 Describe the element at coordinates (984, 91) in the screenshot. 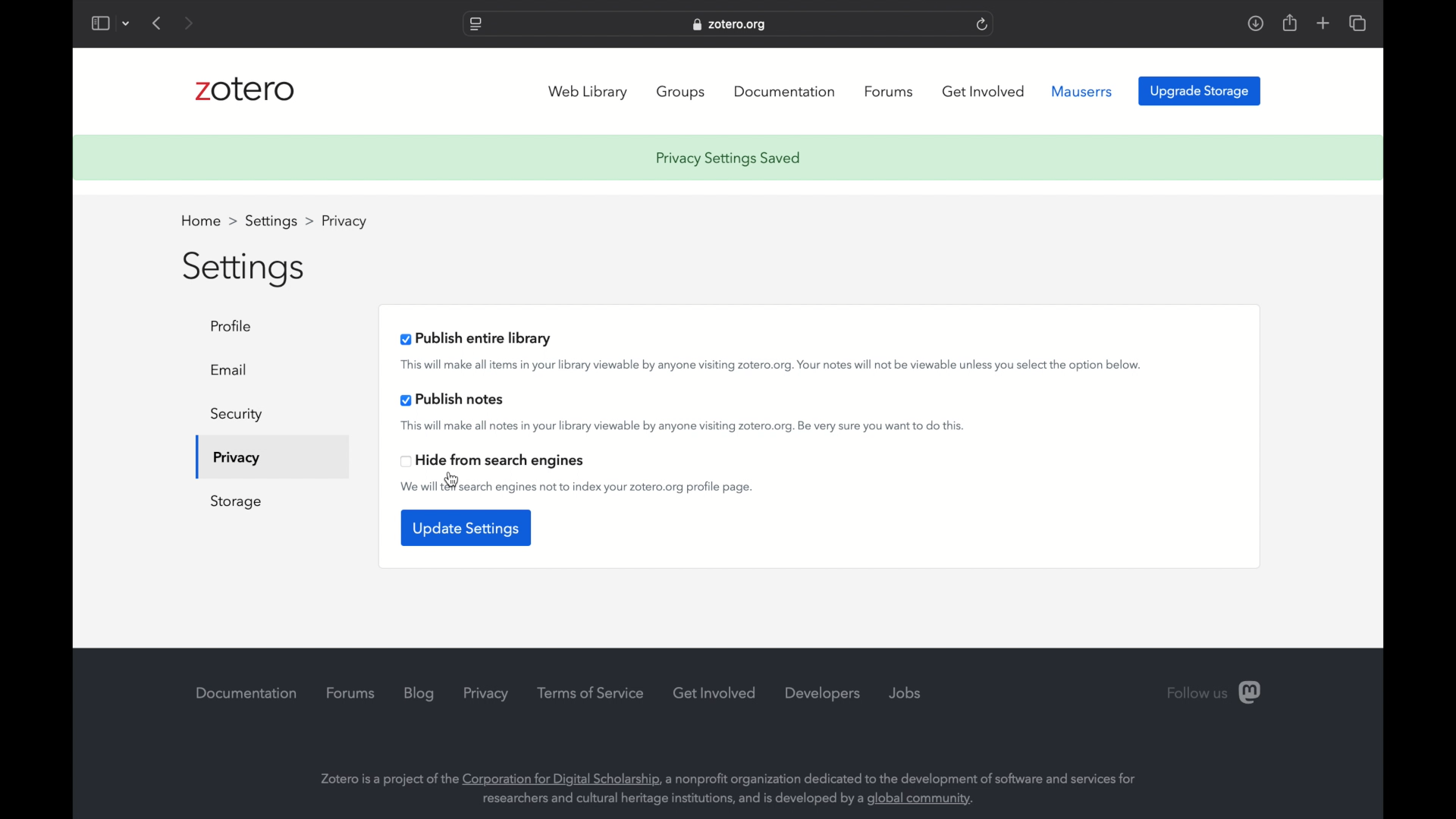

I see `get involved` at that location.